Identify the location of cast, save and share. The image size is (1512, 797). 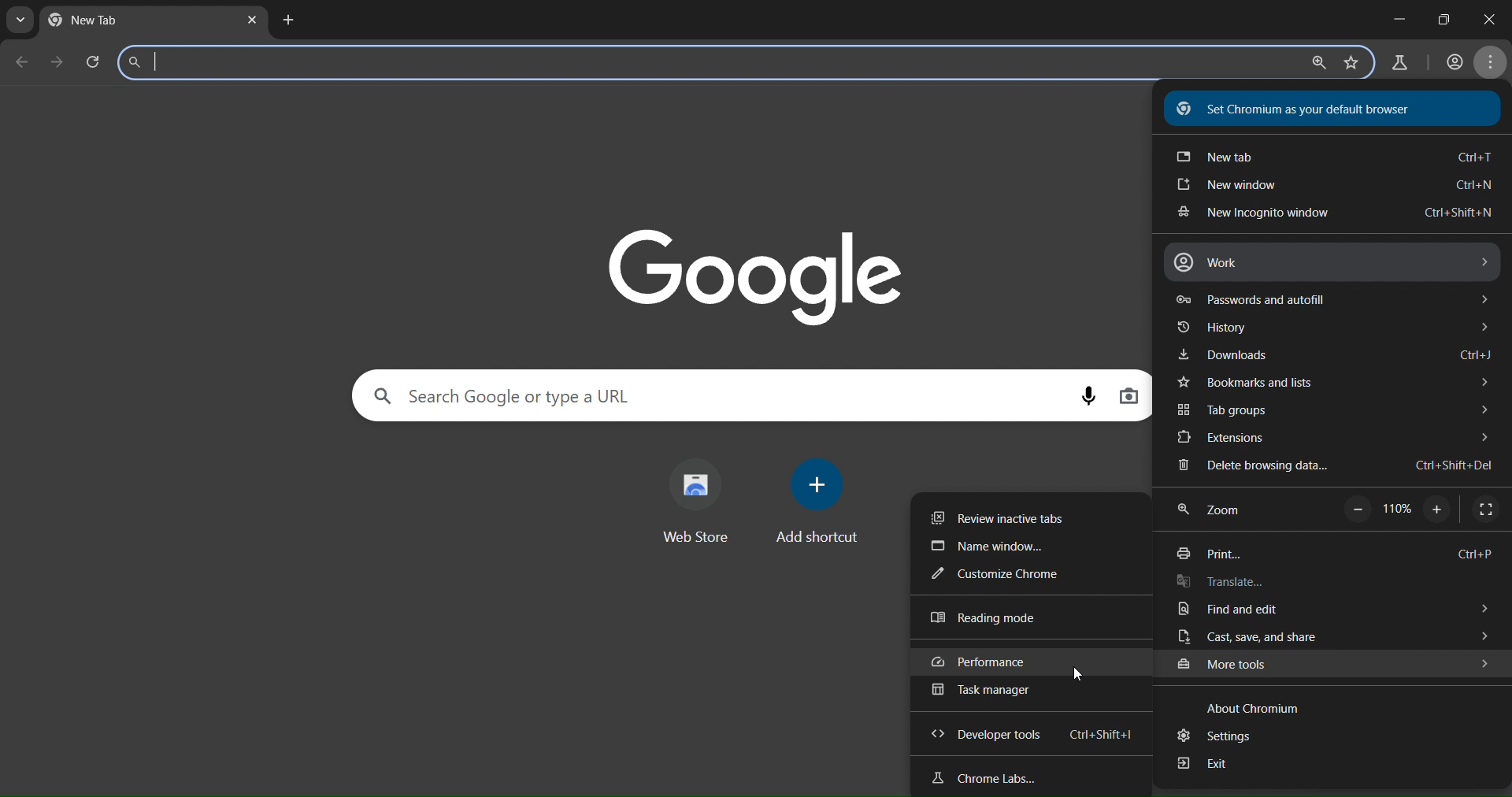
(1327, 638).